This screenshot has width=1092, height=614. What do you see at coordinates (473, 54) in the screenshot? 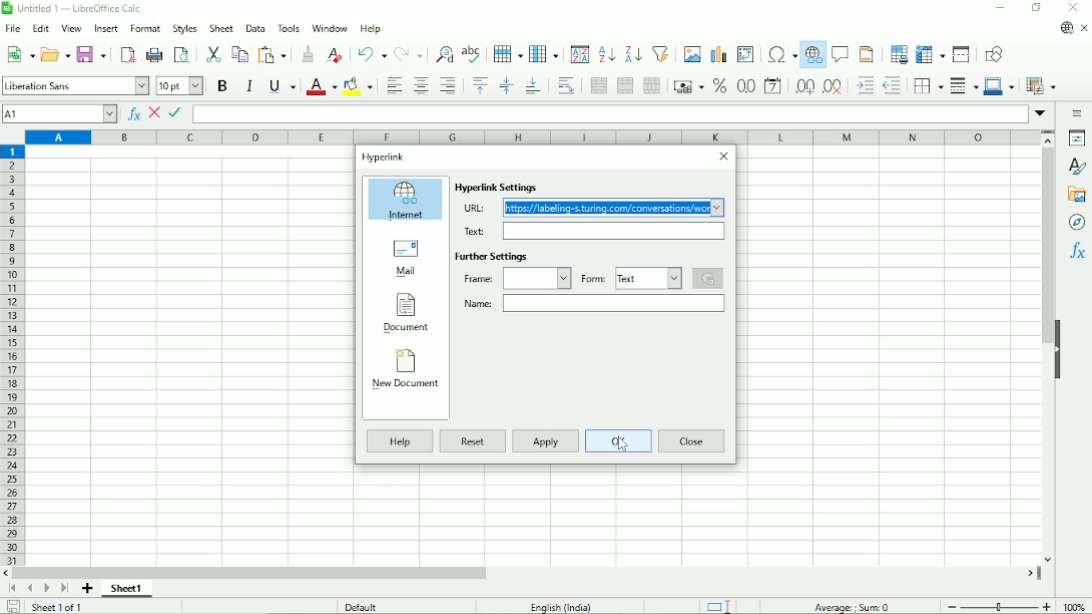
I see `Spell check` at bounding box center [473, 54].